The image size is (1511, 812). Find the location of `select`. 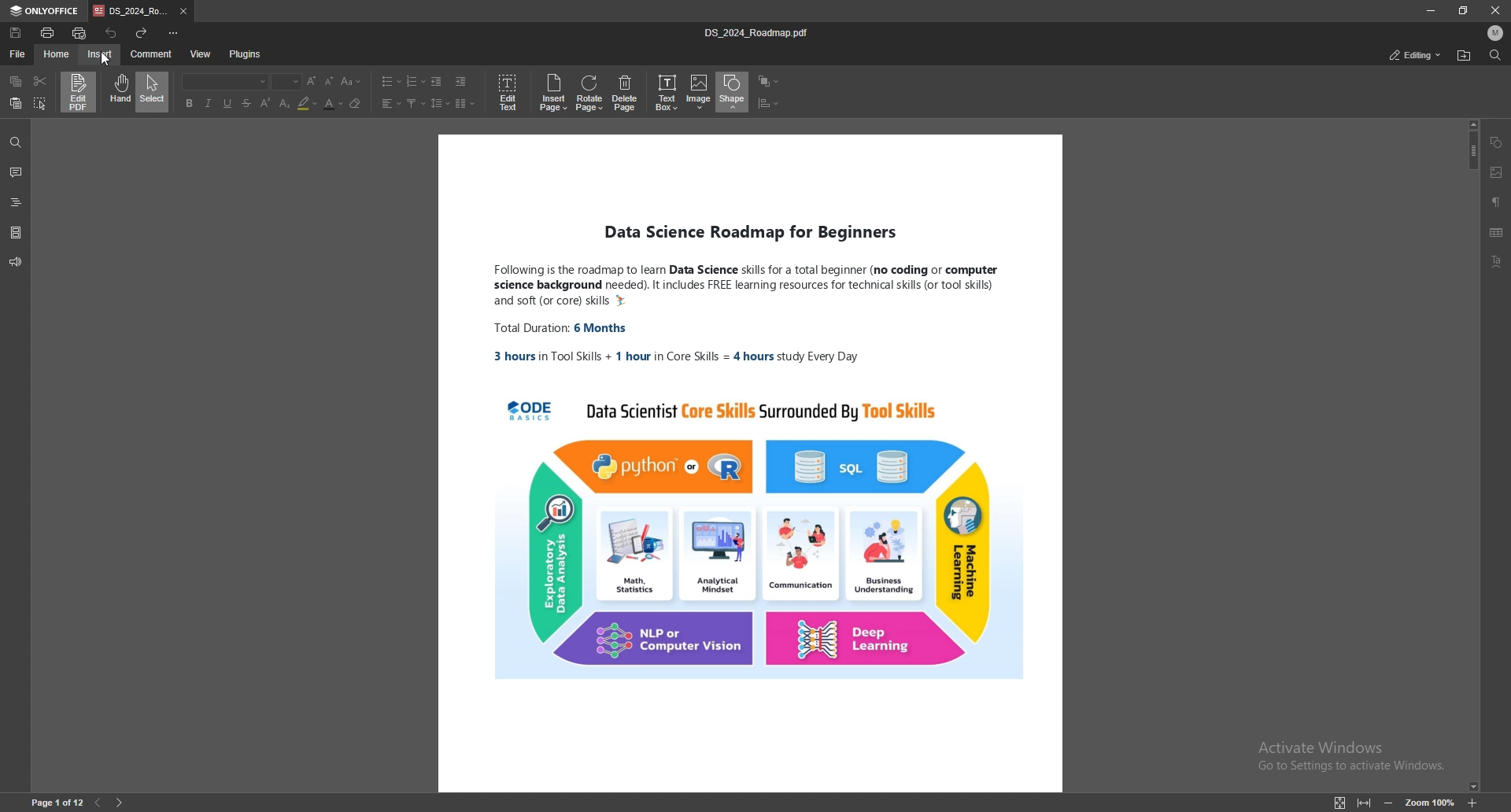

select is located at coordinates (154, 91).